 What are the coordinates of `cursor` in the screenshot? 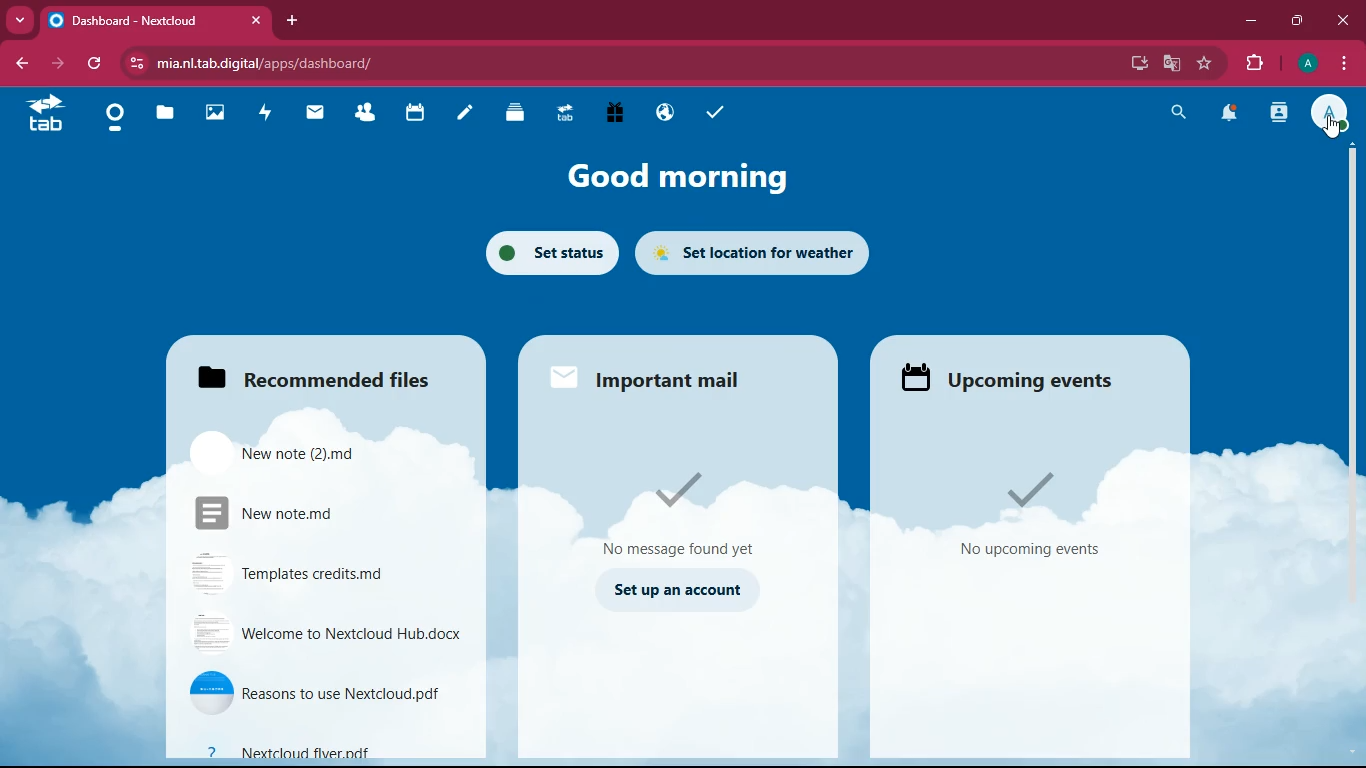 It's located at (1337, 127).